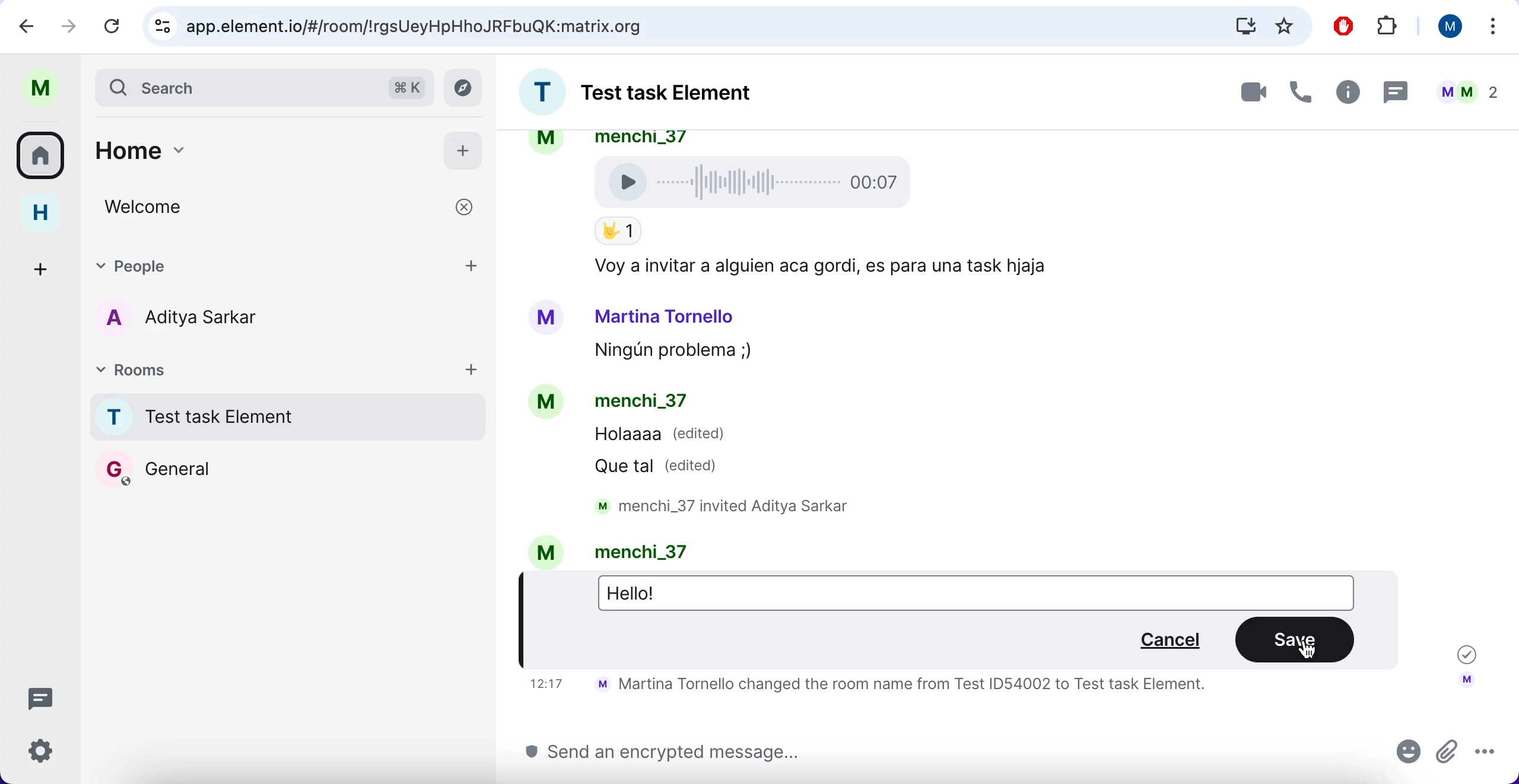 This screenshot has height=784, width=1519. What do you see at coordinates (660, 95) in the screenshot?
I see `room chat` at bounding box center [660, 95].